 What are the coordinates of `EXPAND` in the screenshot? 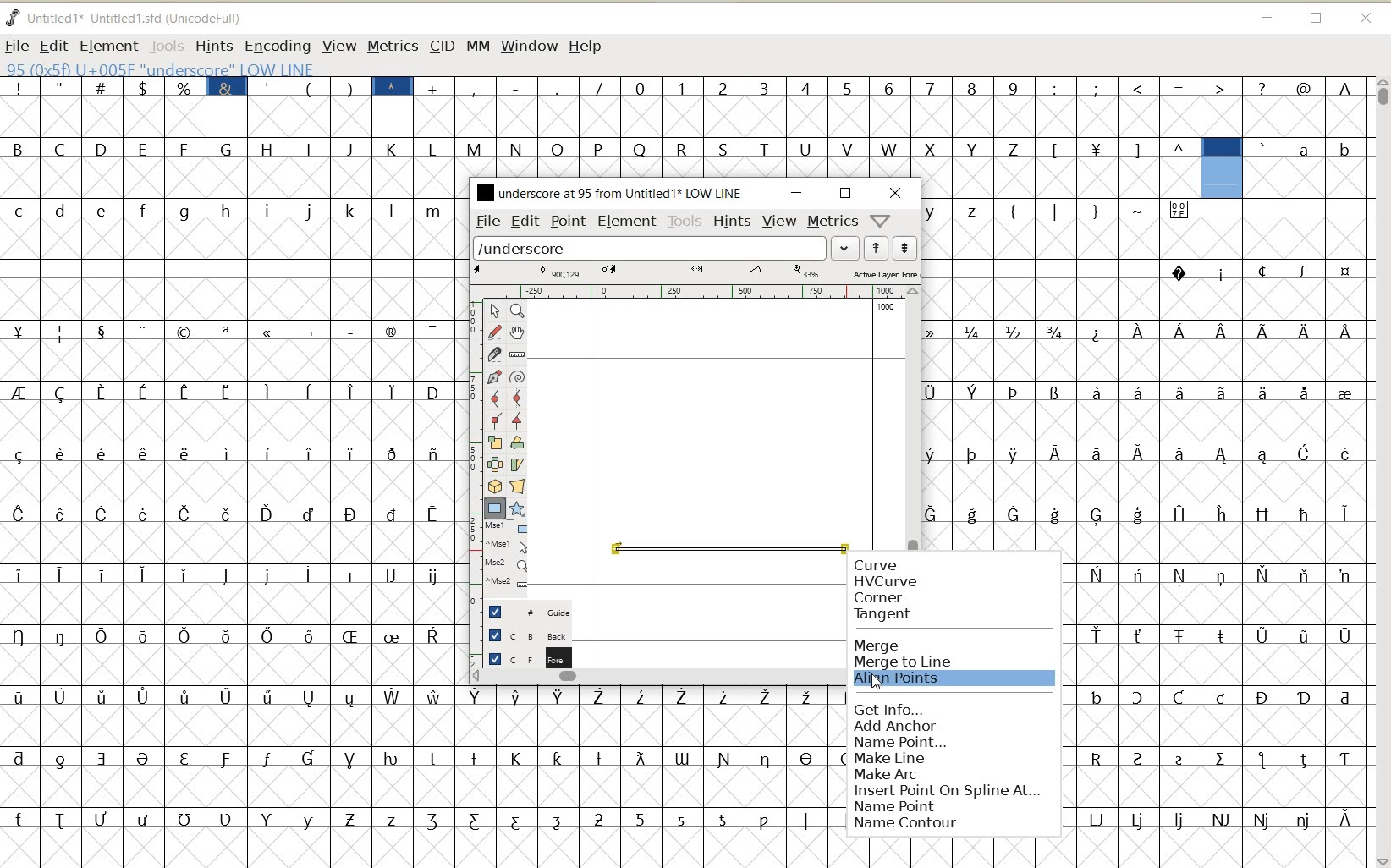 It's located at (846, 249).